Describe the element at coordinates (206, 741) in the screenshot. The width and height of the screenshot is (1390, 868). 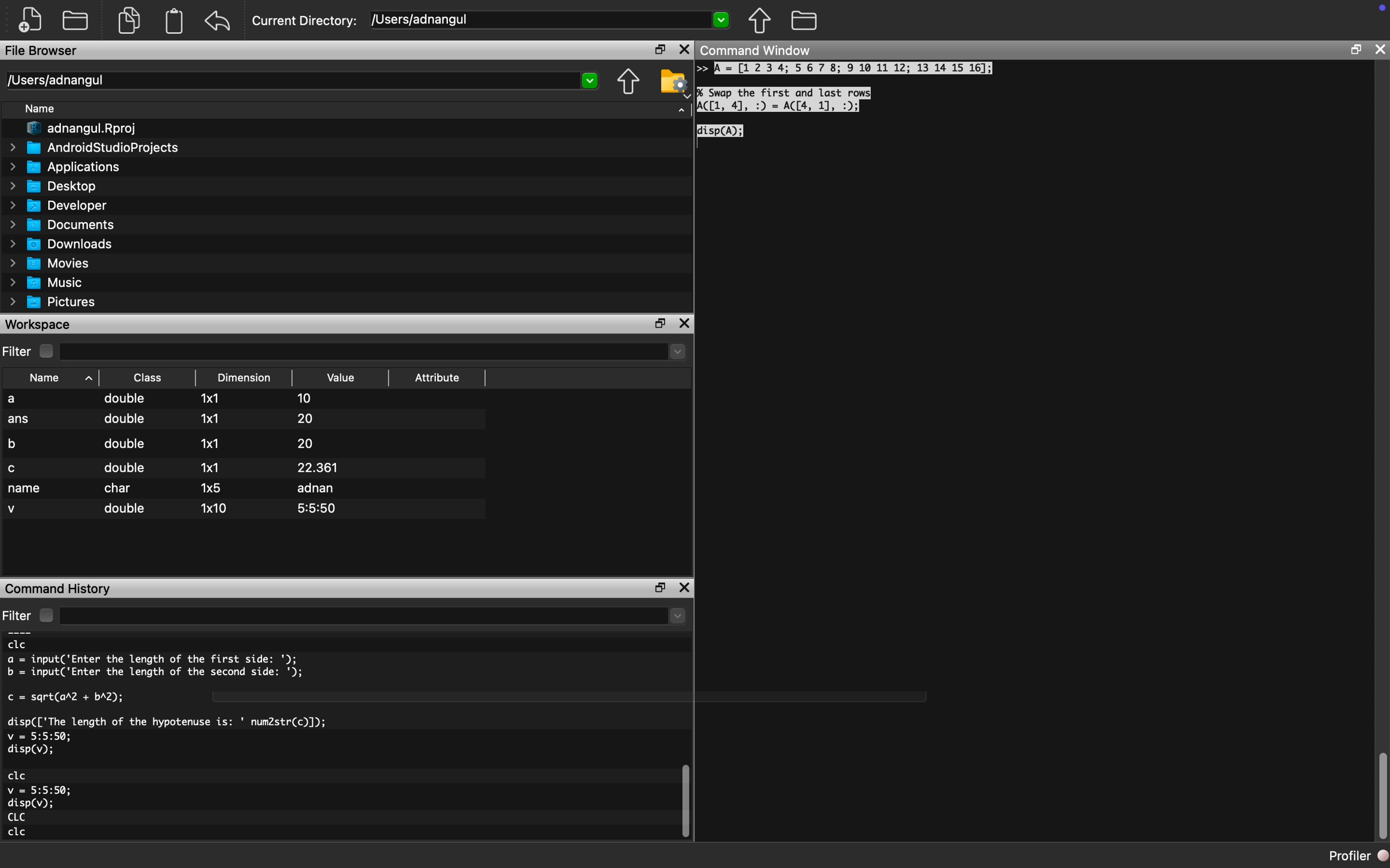
I see `clc

a = input('Enter the length of the first side: ');
b = input('Enter the length of the second side: ');
c = sqrt(ar2 + bA2);

disp(['The length of the hypotenuse is: ' num2str(c)]);
v = 5:5:50;

disp(v);

clc

v = 5:5:50;

disp(v);

CLC

clc` at that location.